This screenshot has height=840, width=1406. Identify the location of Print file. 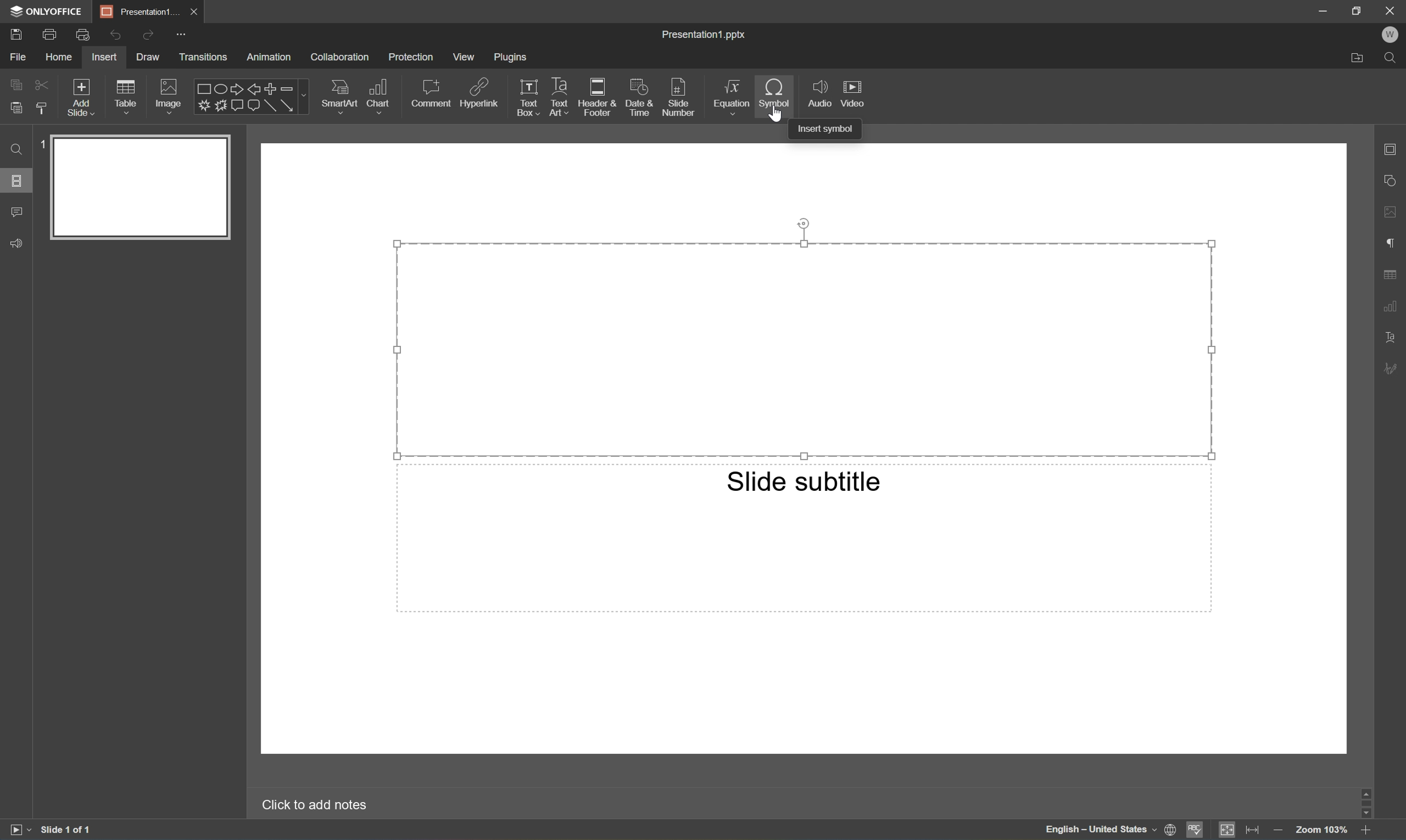
(50, 33).